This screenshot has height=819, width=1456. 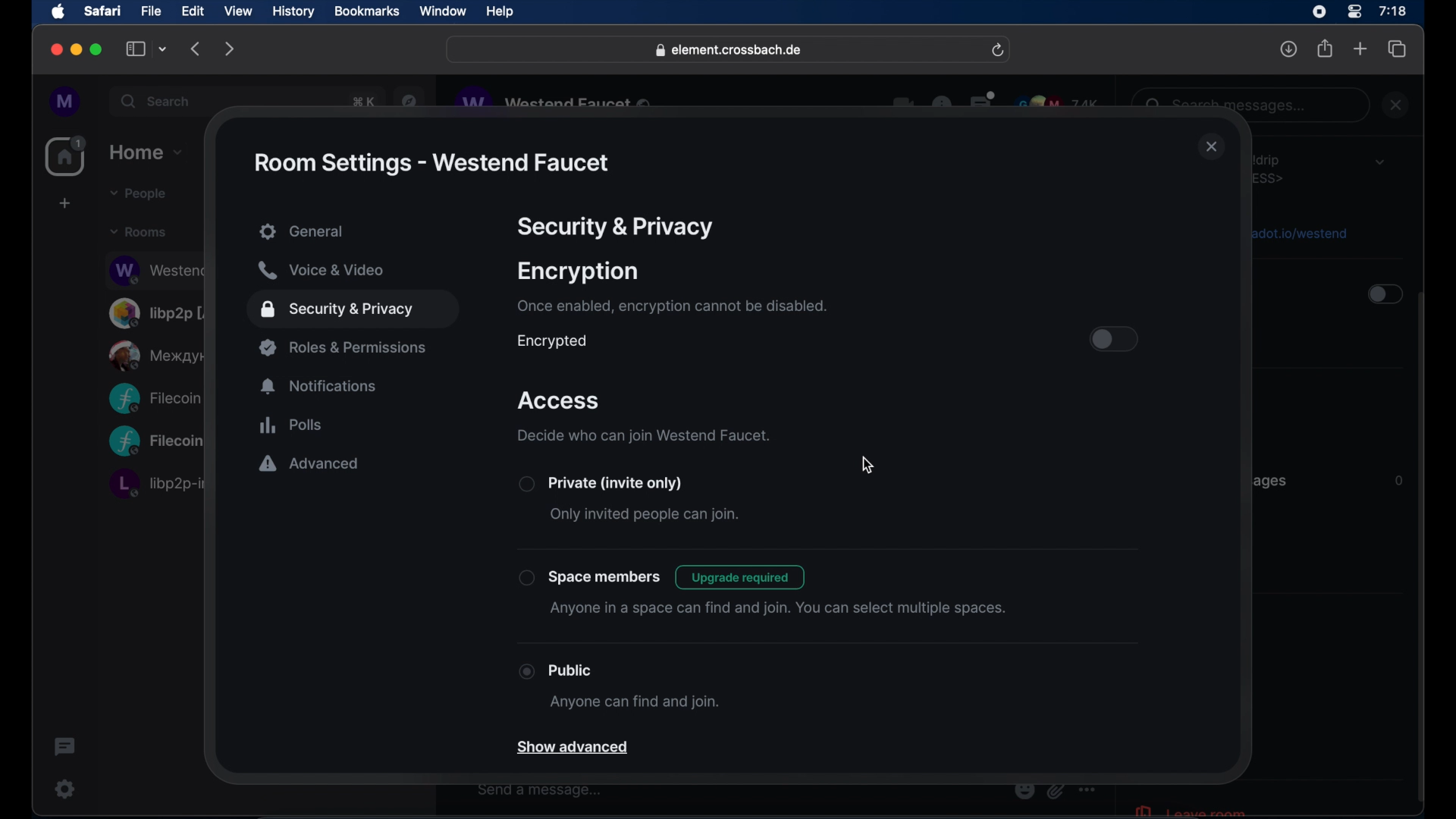 What do you see at coordinates (996, 102) in the screenshot?
I see `obscure icons` at bounding box center [996, 102].